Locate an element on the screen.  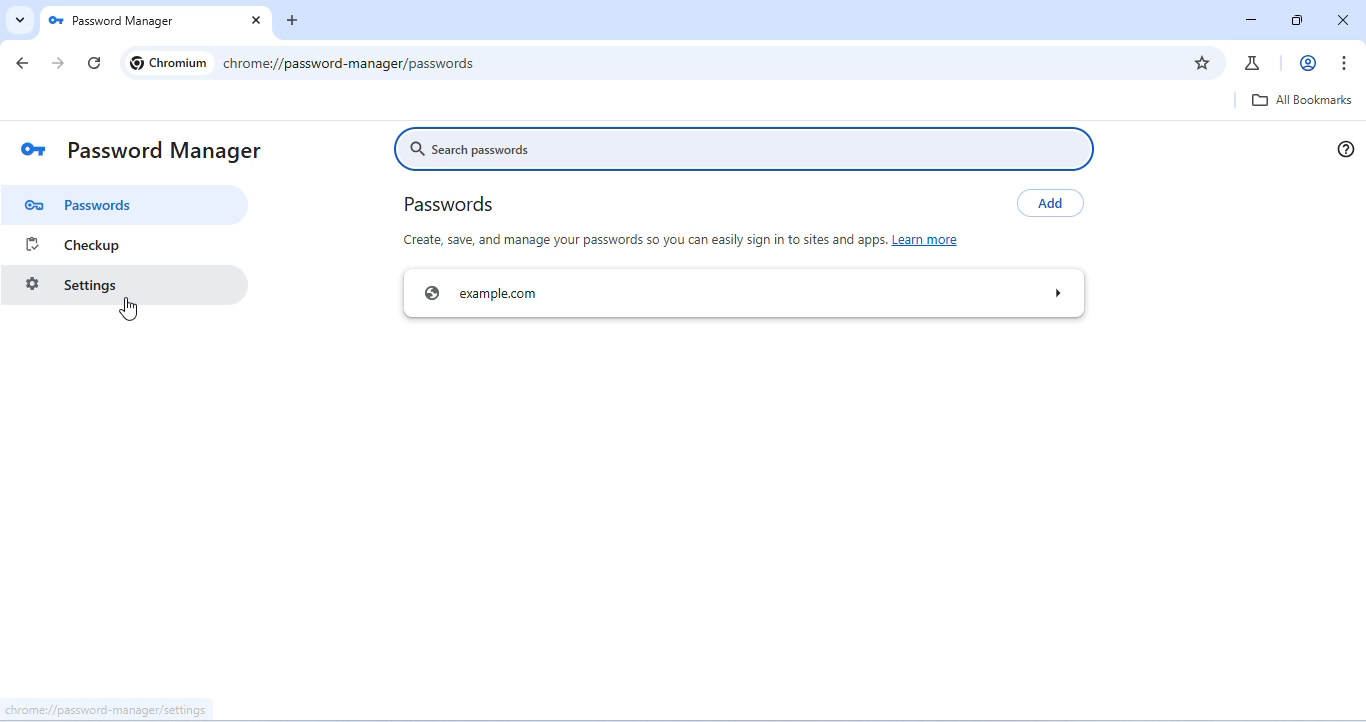
checkup is located at coordinates (126, 244).